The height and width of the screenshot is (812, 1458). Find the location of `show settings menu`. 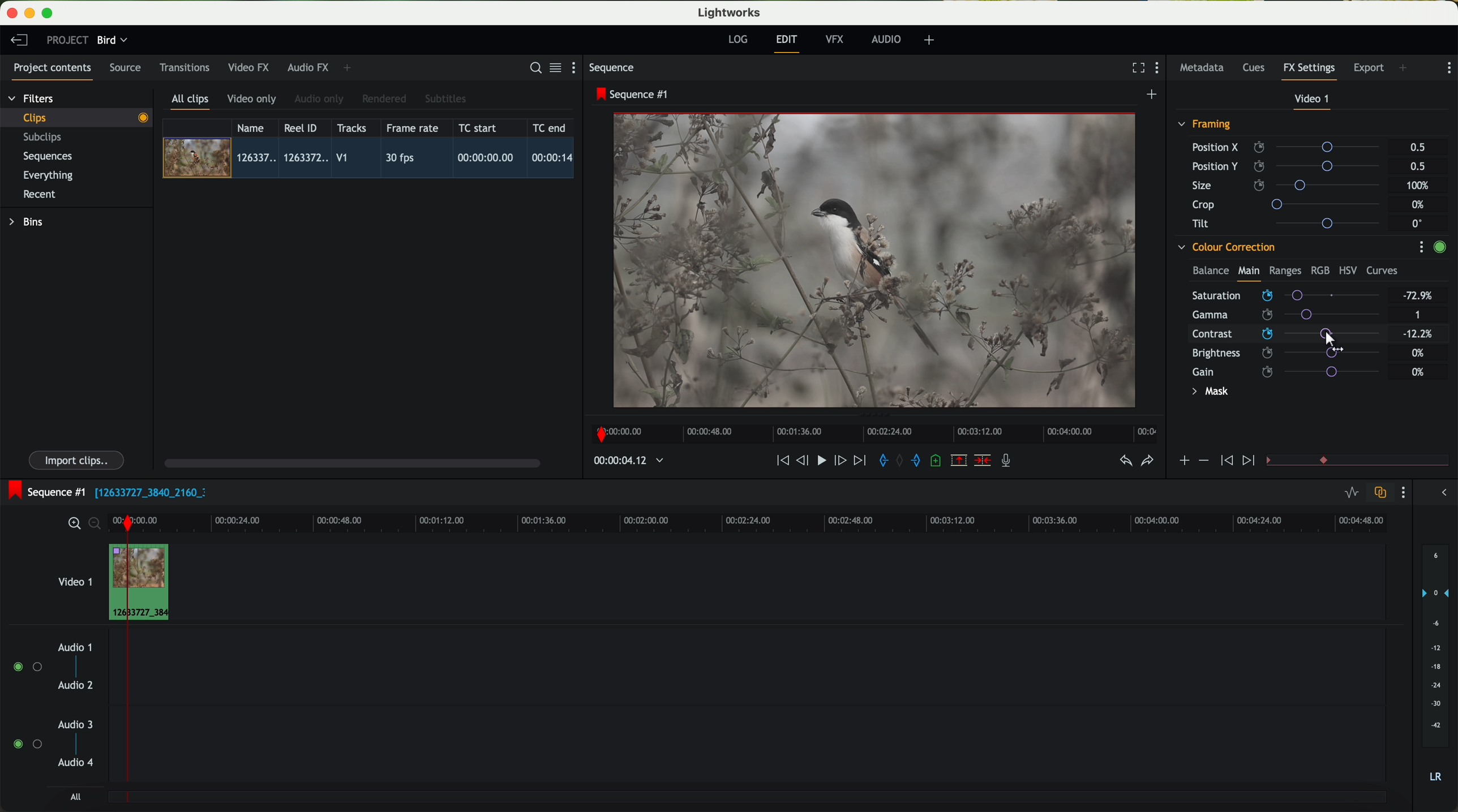

show settings menu is located at coordinates (1421, 247).